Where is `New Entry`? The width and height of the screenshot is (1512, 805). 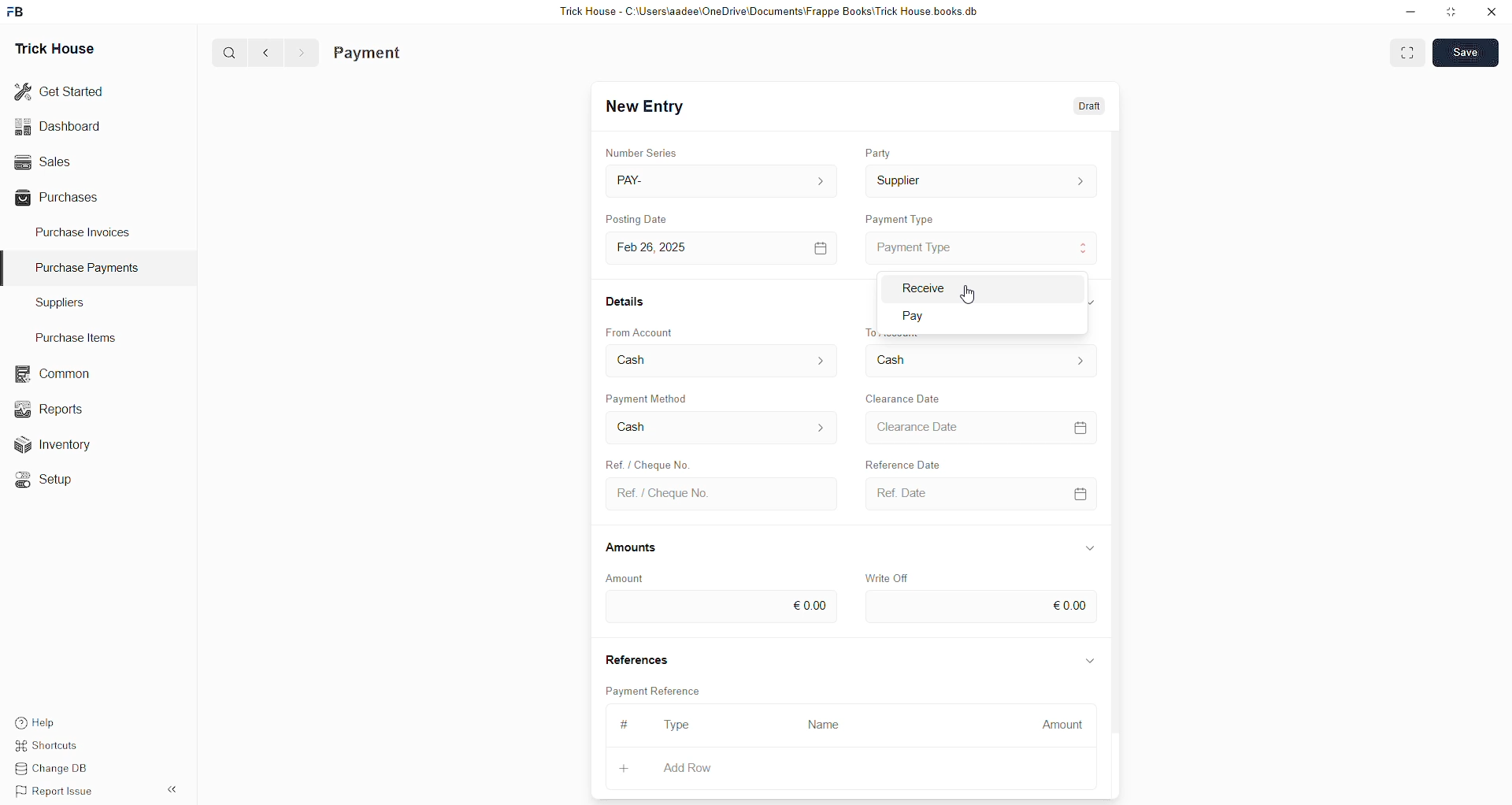
New Entry is located at coordinates (645, 108).